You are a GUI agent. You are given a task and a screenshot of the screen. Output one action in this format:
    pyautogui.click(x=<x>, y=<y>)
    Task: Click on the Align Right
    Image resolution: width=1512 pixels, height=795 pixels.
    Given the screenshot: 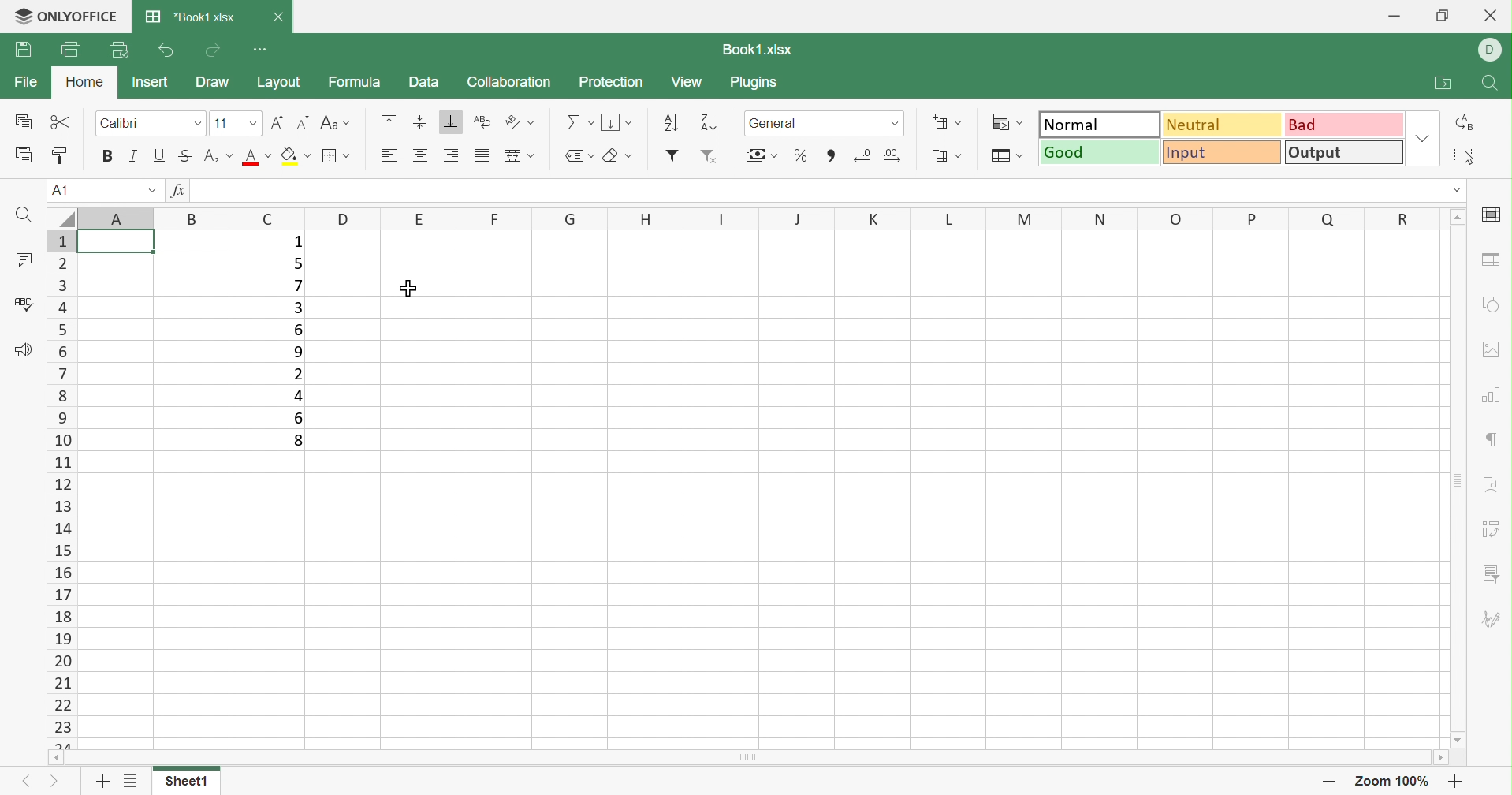 What is the action you would take?
    pyautogui.click(x=392, y=157)
    